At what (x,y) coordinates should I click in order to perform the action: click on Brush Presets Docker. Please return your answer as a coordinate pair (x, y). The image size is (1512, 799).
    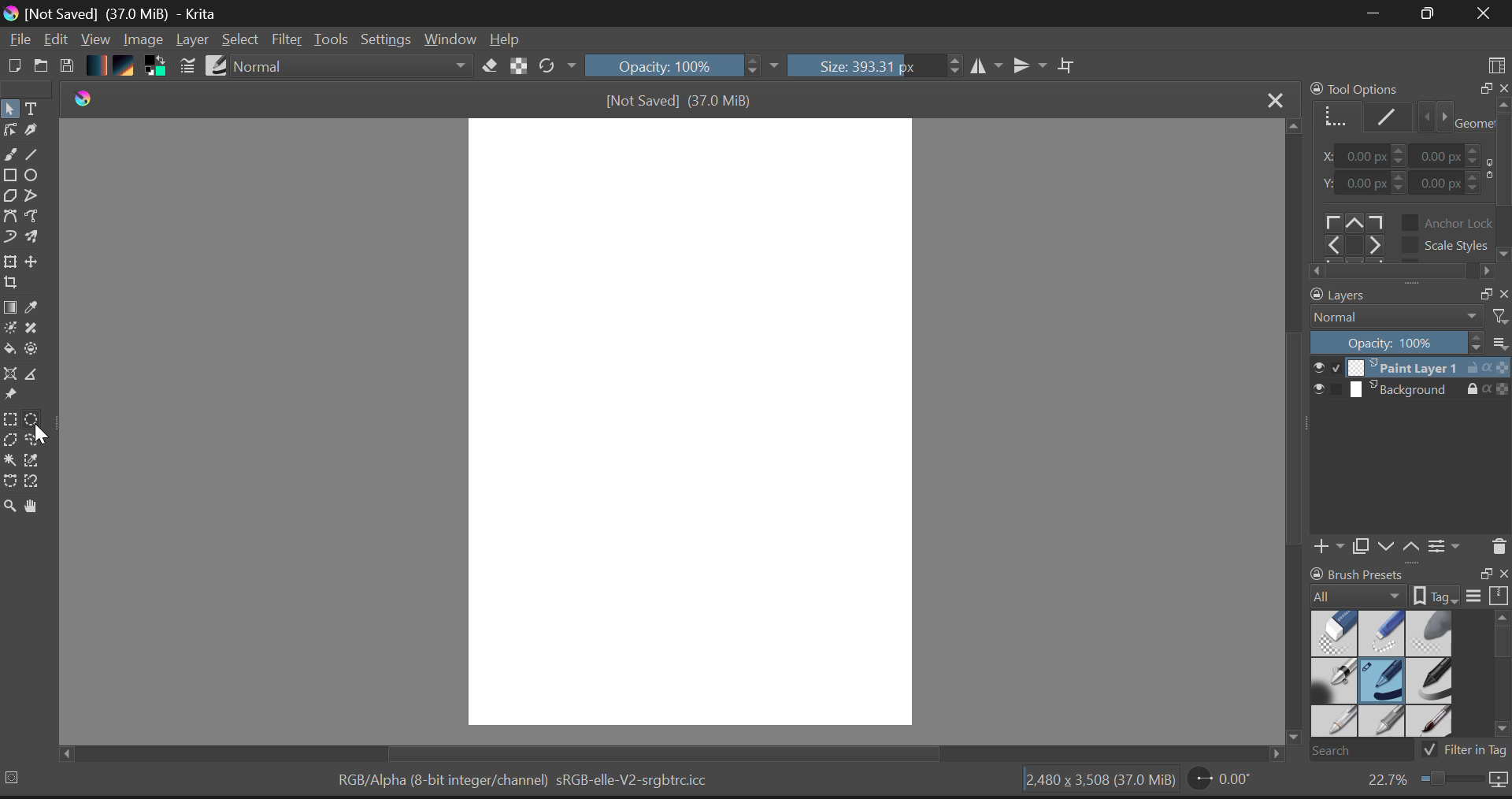
    Looking at the image, I should click on (1406, 662).